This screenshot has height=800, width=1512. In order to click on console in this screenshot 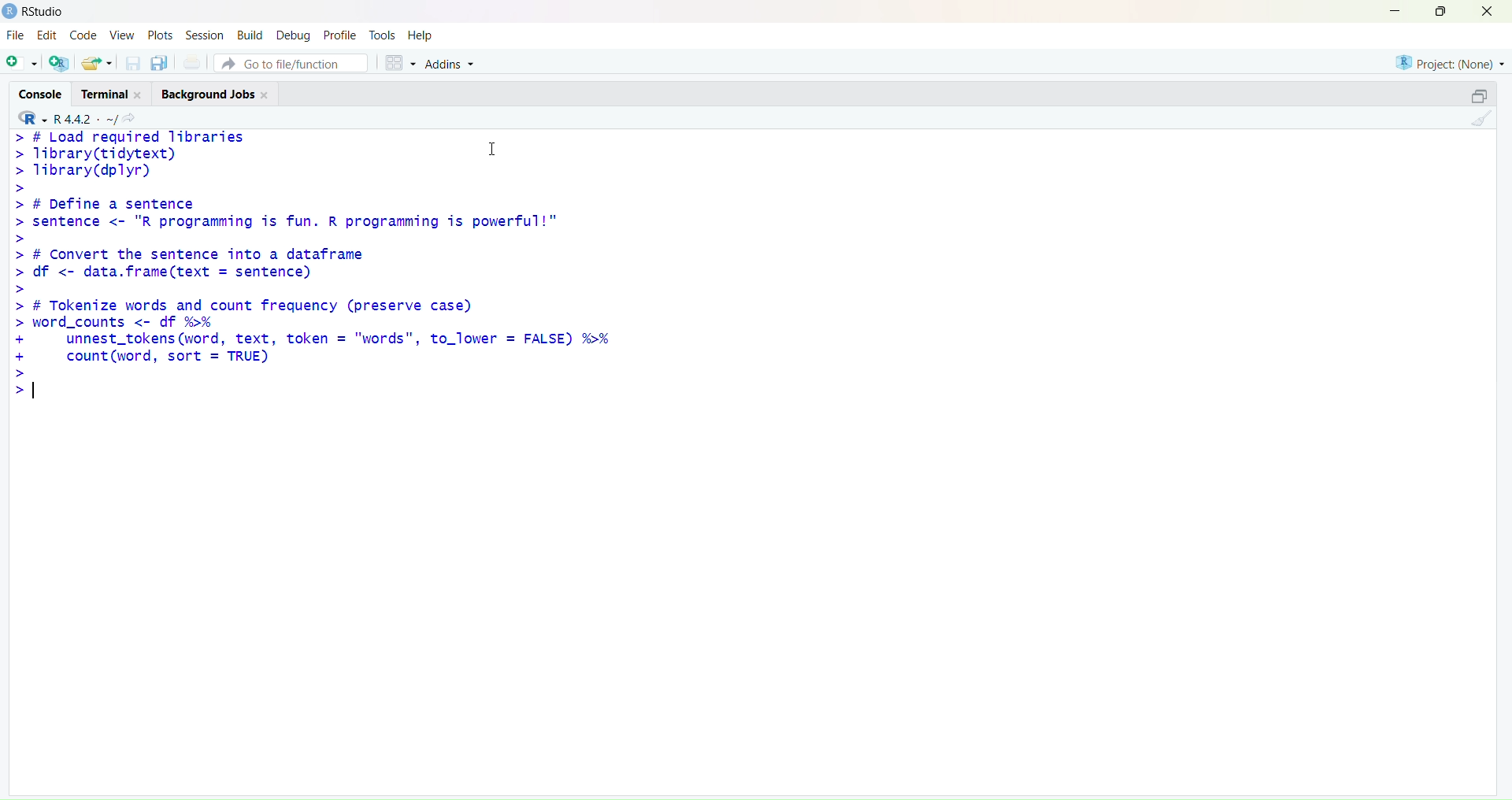, I will do `click(43, 94)`.